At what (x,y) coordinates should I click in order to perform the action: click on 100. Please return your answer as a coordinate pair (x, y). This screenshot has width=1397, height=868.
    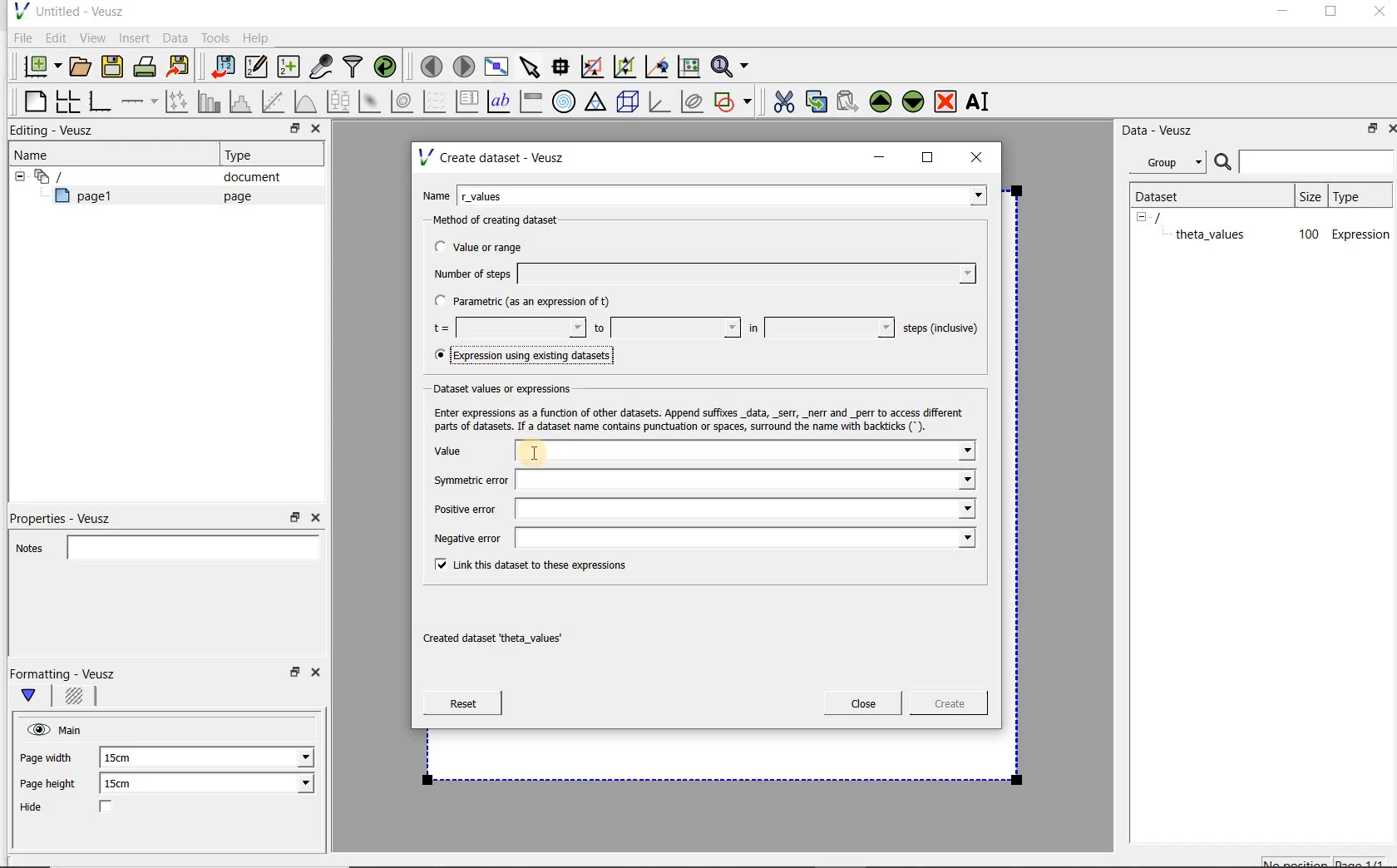
    Looking at the image, I should click on (1307, 235).